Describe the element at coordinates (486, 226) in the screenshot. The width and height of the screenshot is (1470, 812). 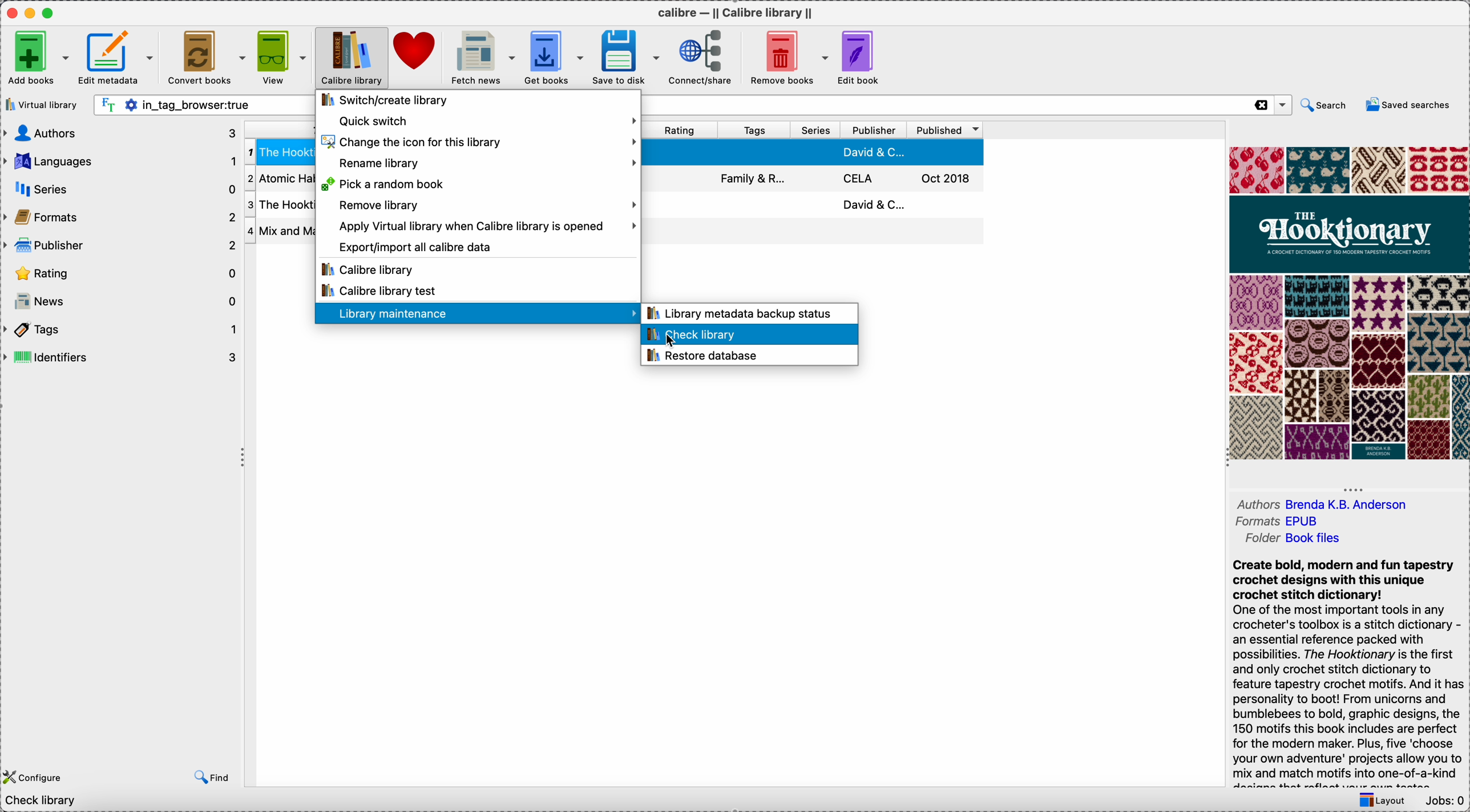
I see `apply virtual library when Calibre library is opened` at that location.